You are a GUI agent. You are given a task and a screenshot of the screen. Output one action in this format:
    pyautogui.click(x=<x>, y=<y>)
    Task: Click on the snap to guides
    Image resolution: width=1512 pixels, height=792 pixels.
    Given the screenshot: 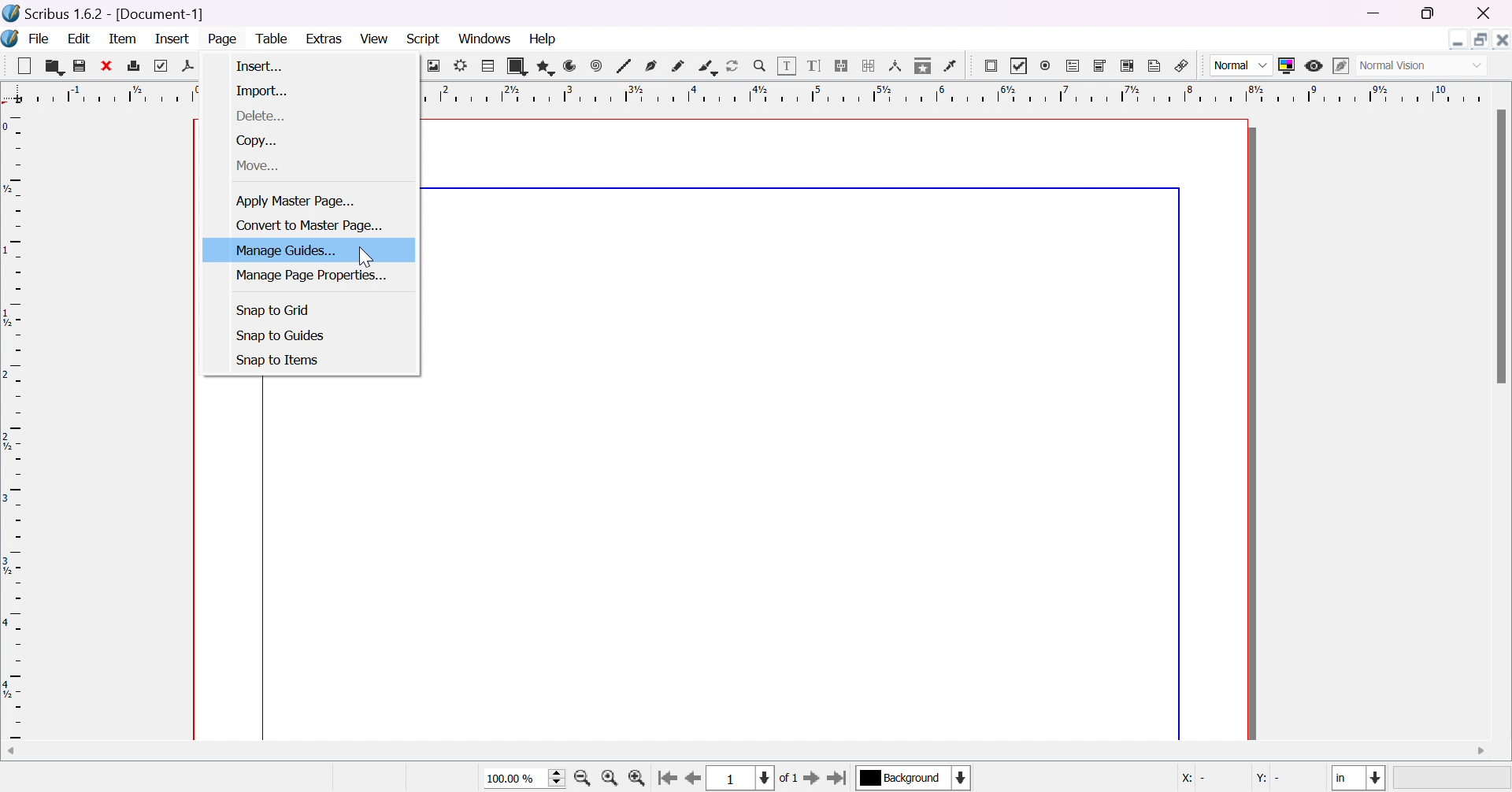 What is the action you would take?
    pyautogui.click(x=280, y=336)
    